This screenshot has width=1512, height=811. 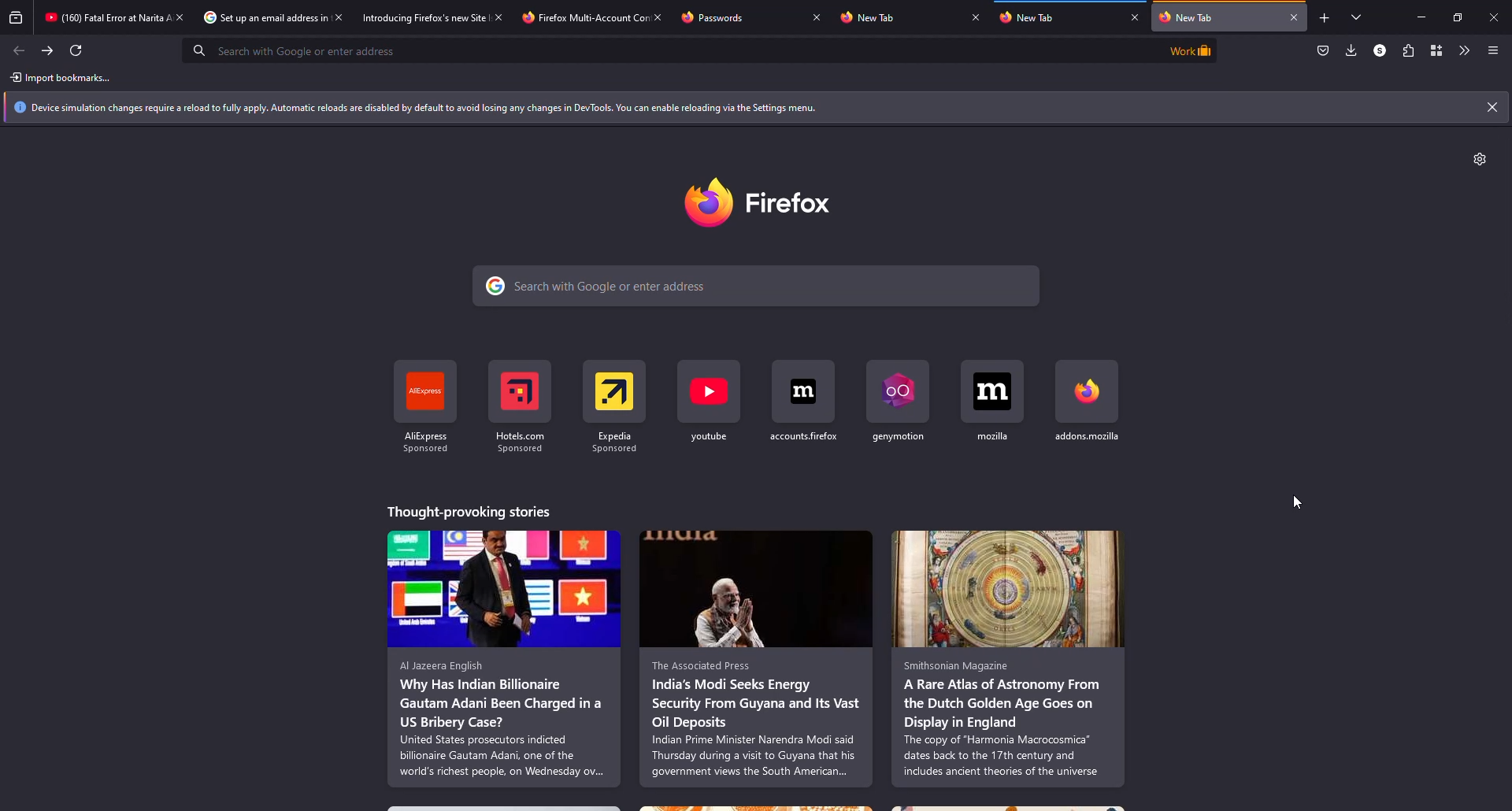 I want to click on Text, so click(x=470, y=512).